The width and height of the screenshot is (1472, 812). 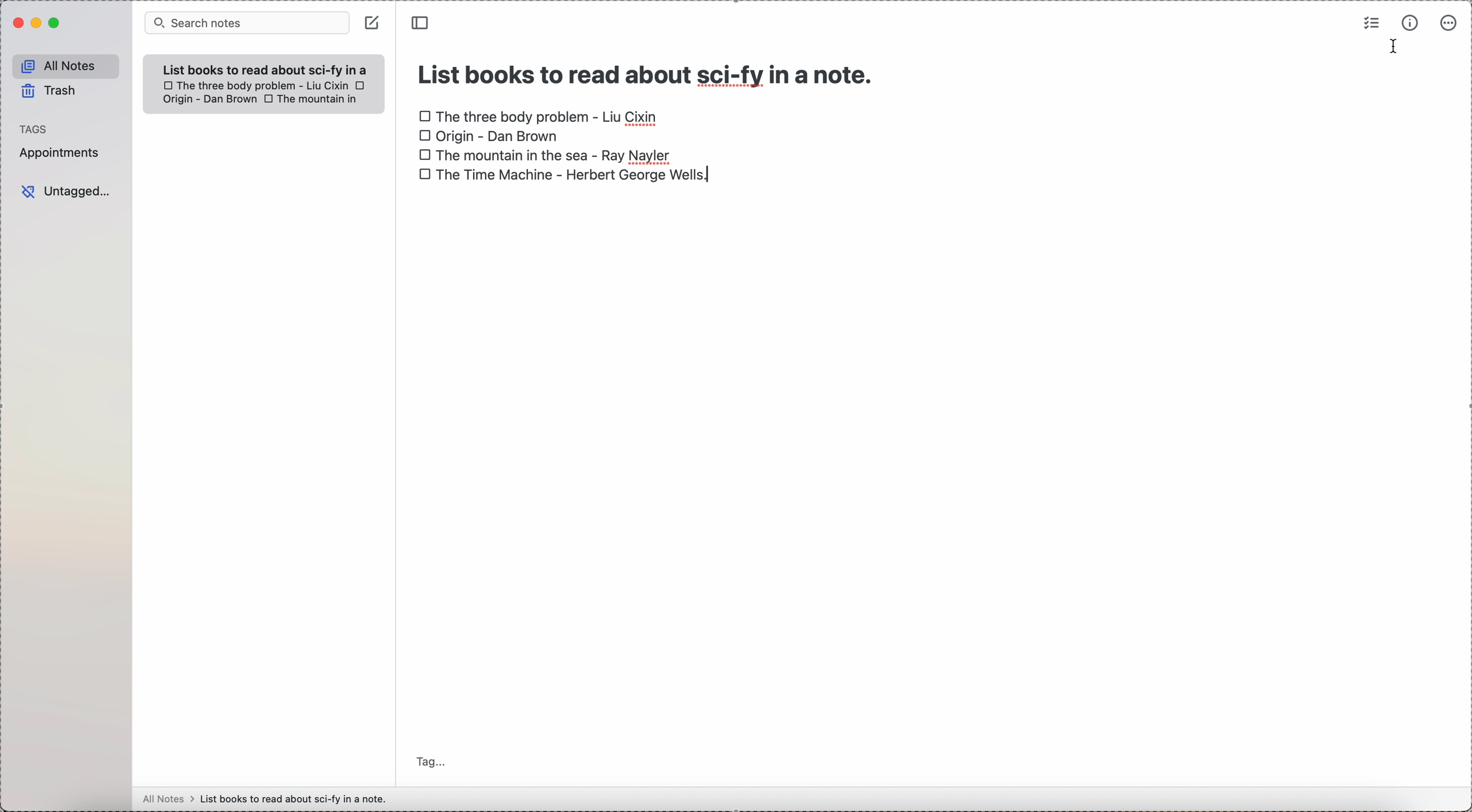 What do you see at coordinates (362, 85) in the screenshot?
I see `checkbox` at bounding box center [362, 85].